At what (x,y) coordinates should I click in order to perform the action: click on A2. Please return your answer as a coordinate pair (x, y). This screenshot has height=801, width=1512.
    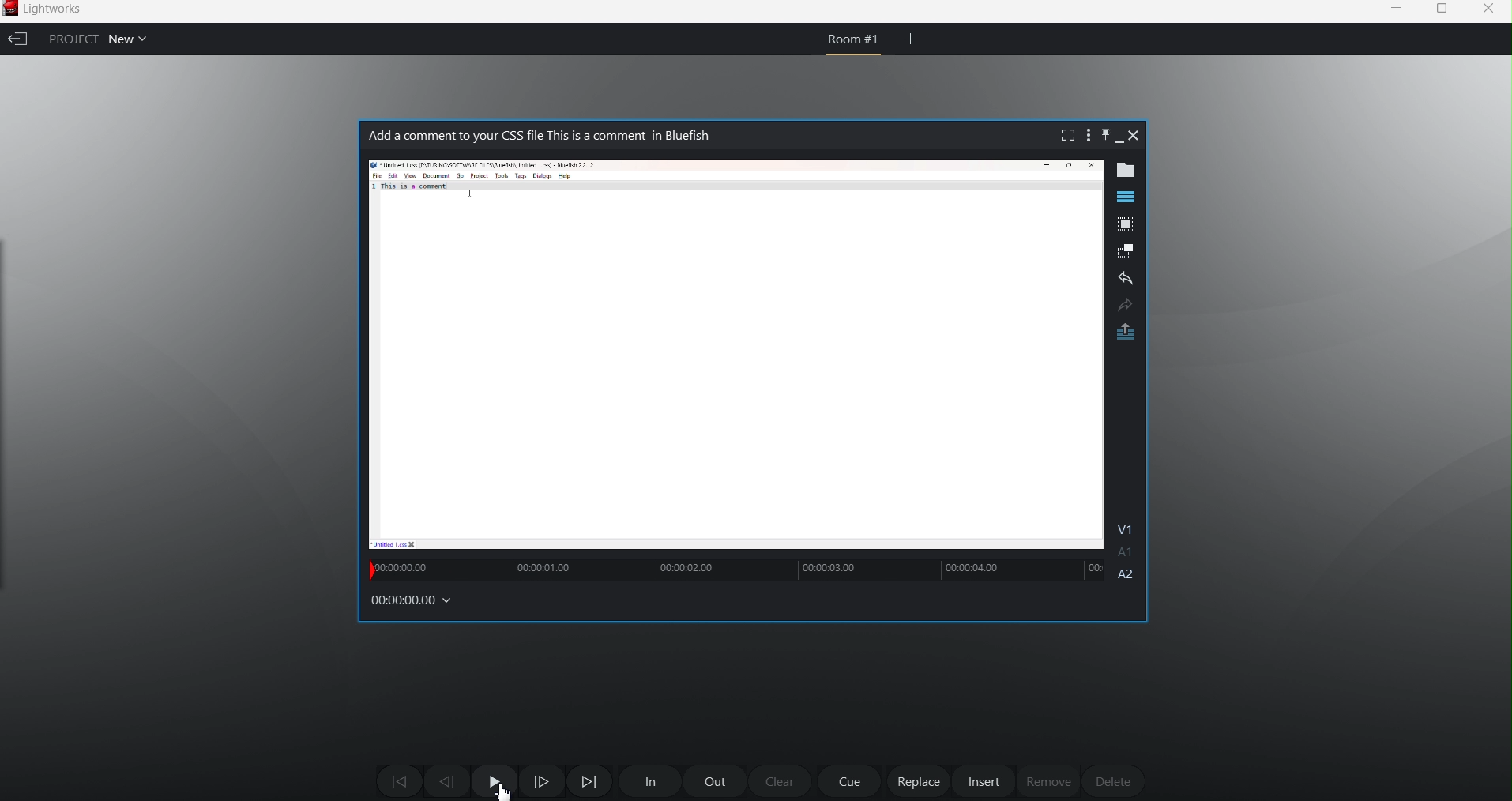
    Looking at the image, I should click on (1128, 575).